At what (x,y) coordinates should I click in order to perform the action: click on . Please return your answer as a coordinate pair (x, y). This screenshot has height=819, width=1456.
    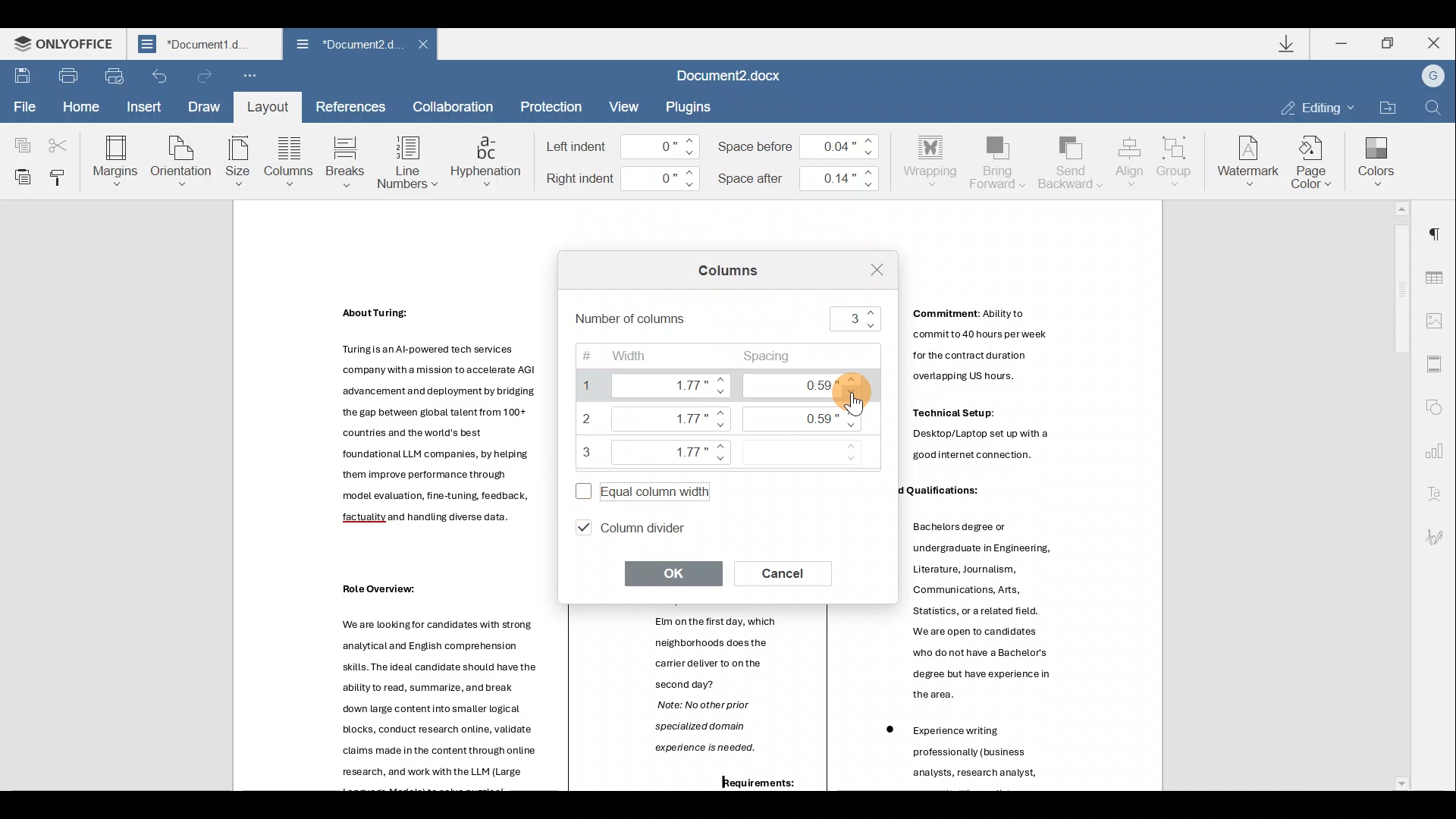
    Looking at the image, I should click on (445, 436).